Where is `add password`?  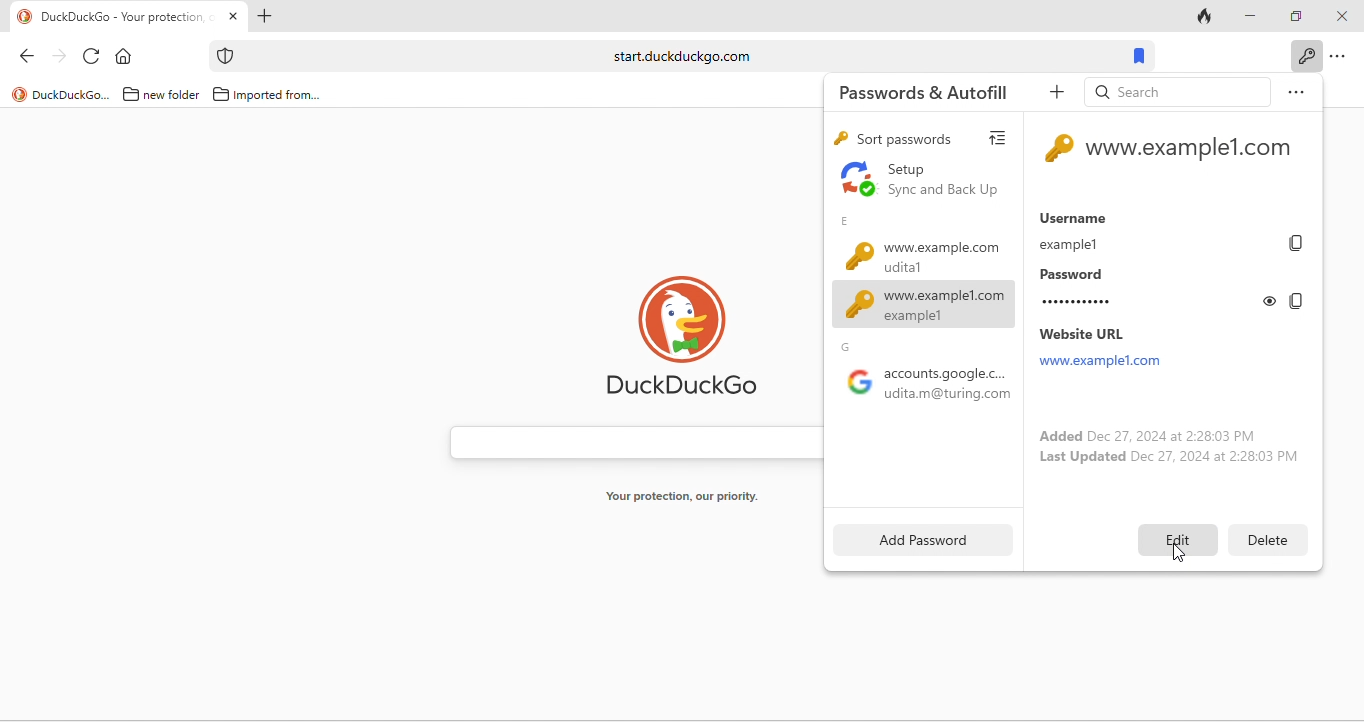 add password is located at coordinates (919, 539).